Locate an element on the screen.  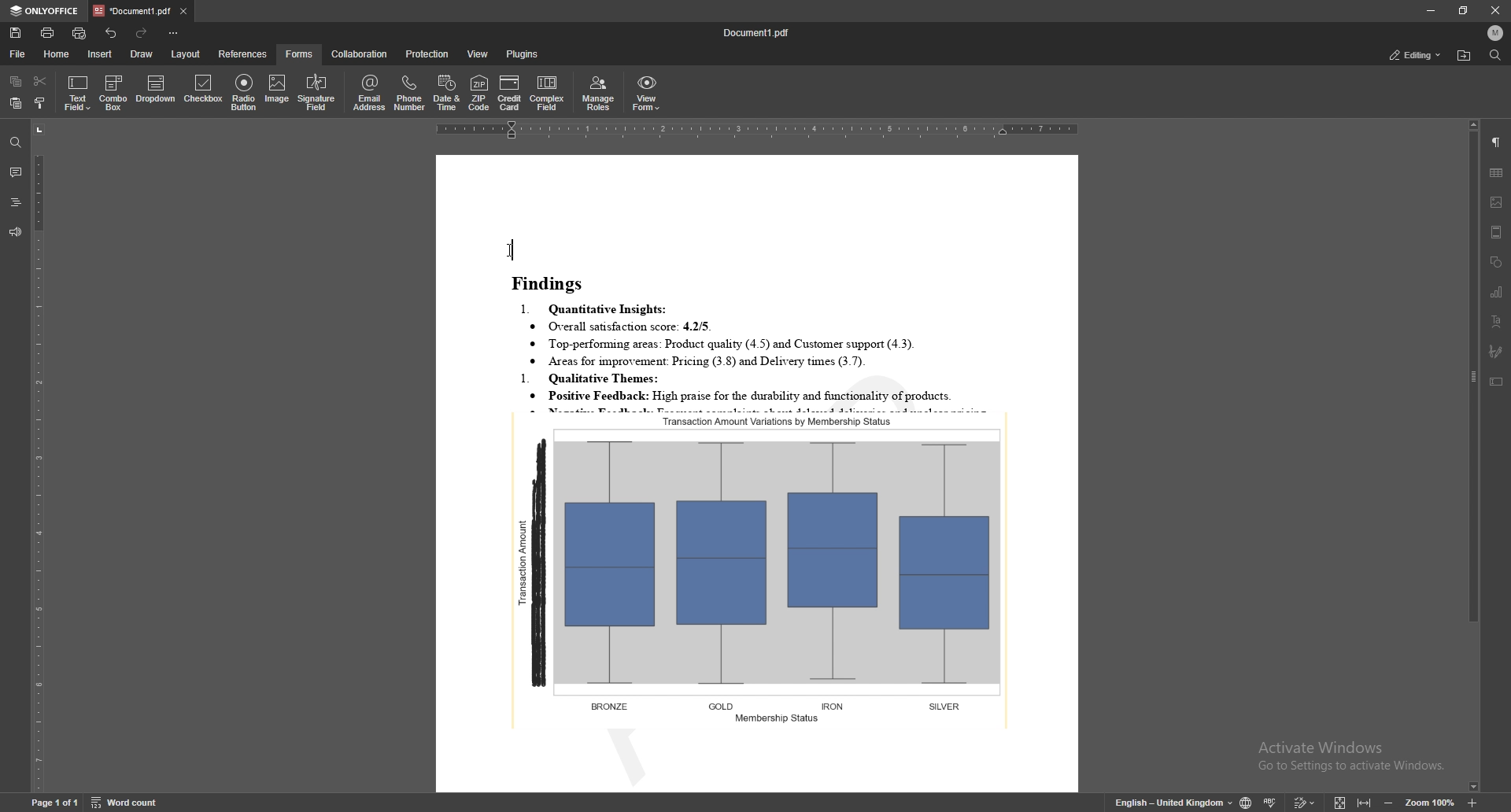
references is located at coordinates (242, 54).